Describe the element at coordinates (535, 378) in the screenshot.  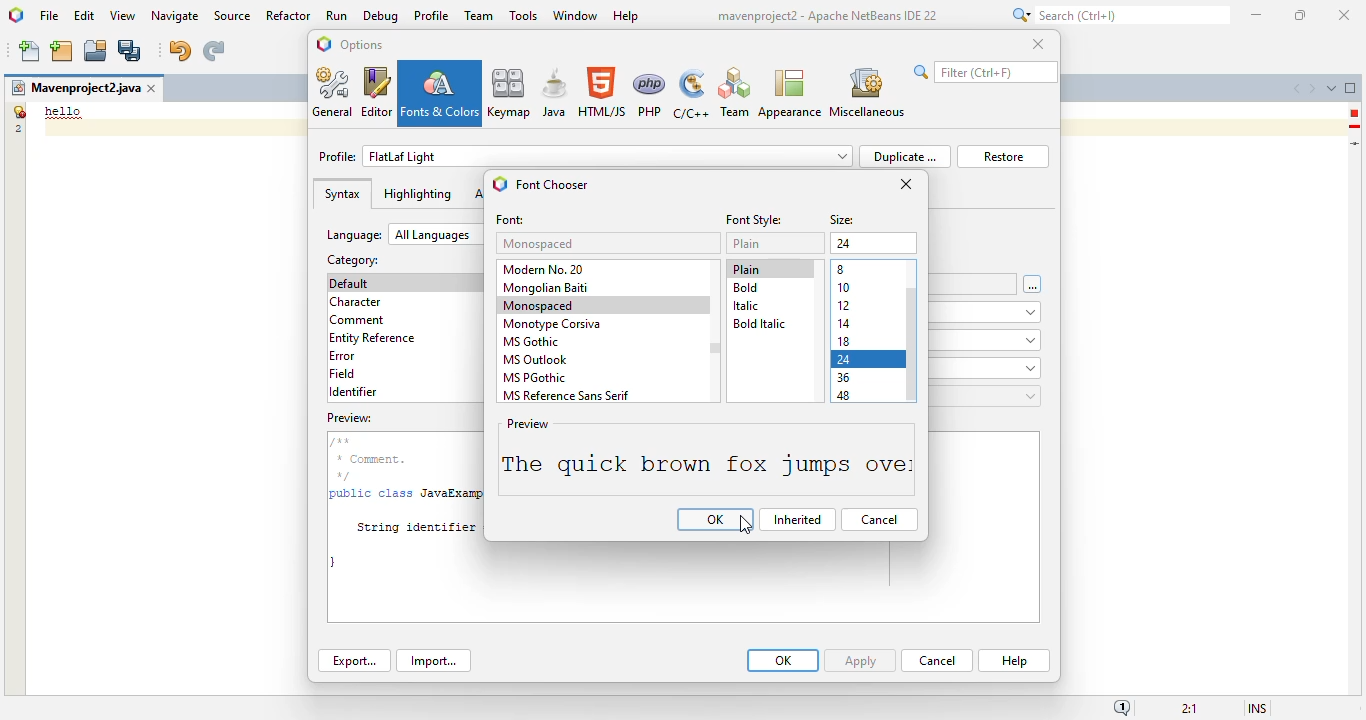
I see `MS PGothic` at that location.